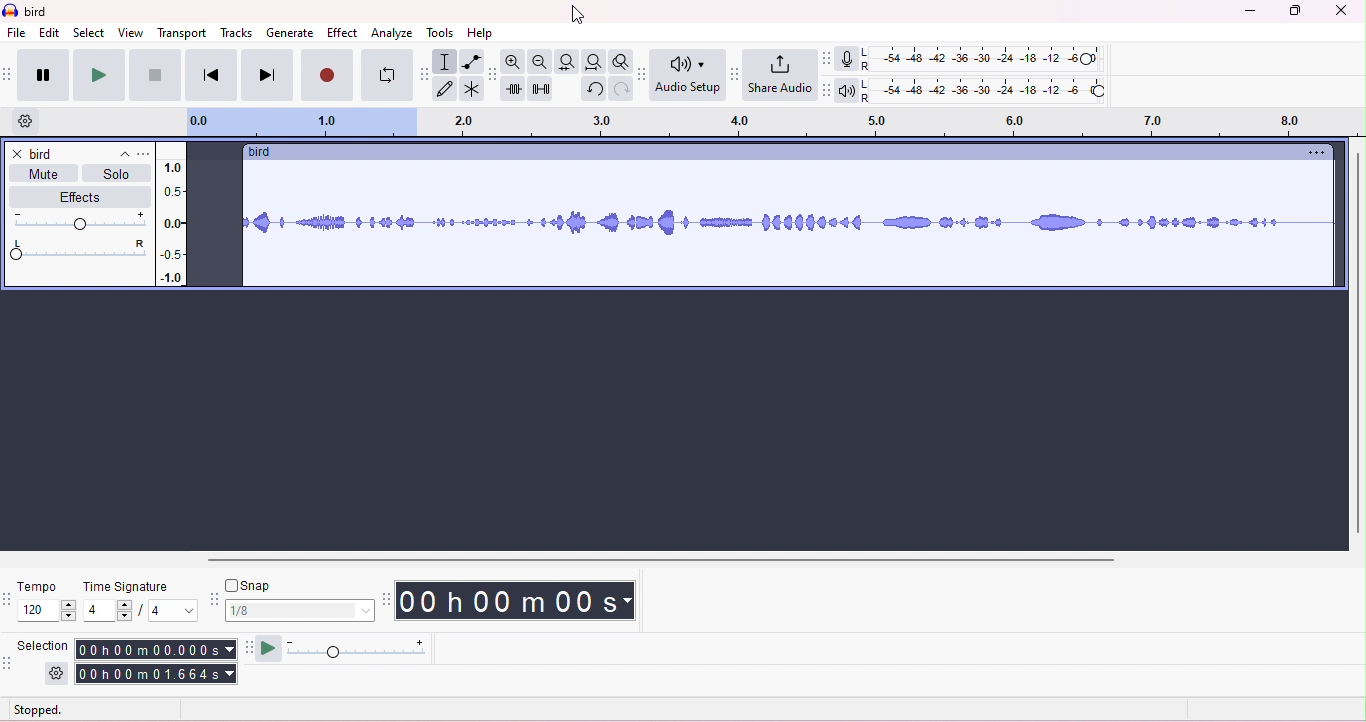  What do you see at coordinates (289, 33) in the screenshot?
I see `generate` at bounding box center [289, 33].